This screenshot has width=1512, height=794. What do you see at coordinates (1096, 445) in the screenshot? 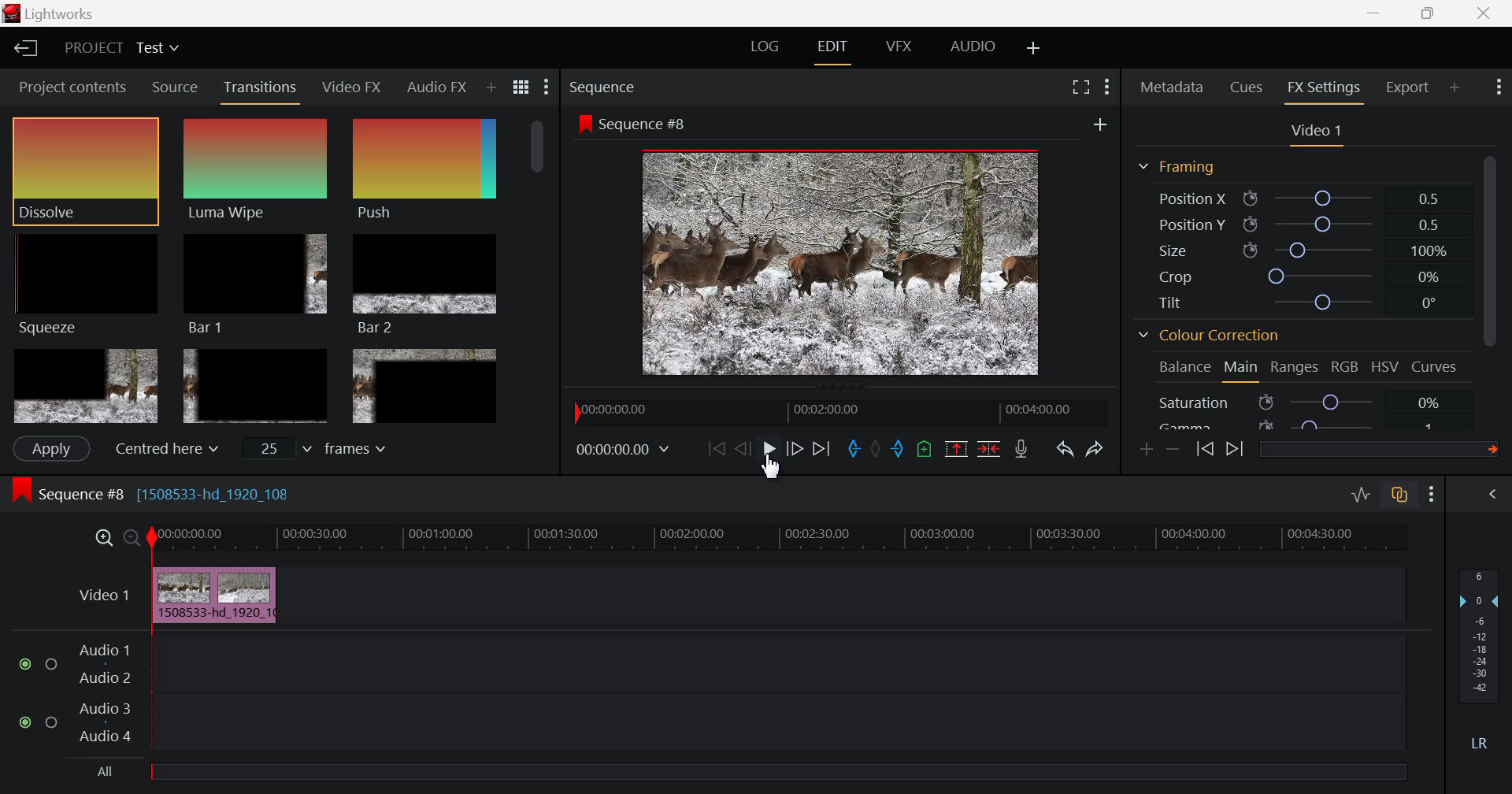
I see `Redo` at bounding box center [1096, 445].